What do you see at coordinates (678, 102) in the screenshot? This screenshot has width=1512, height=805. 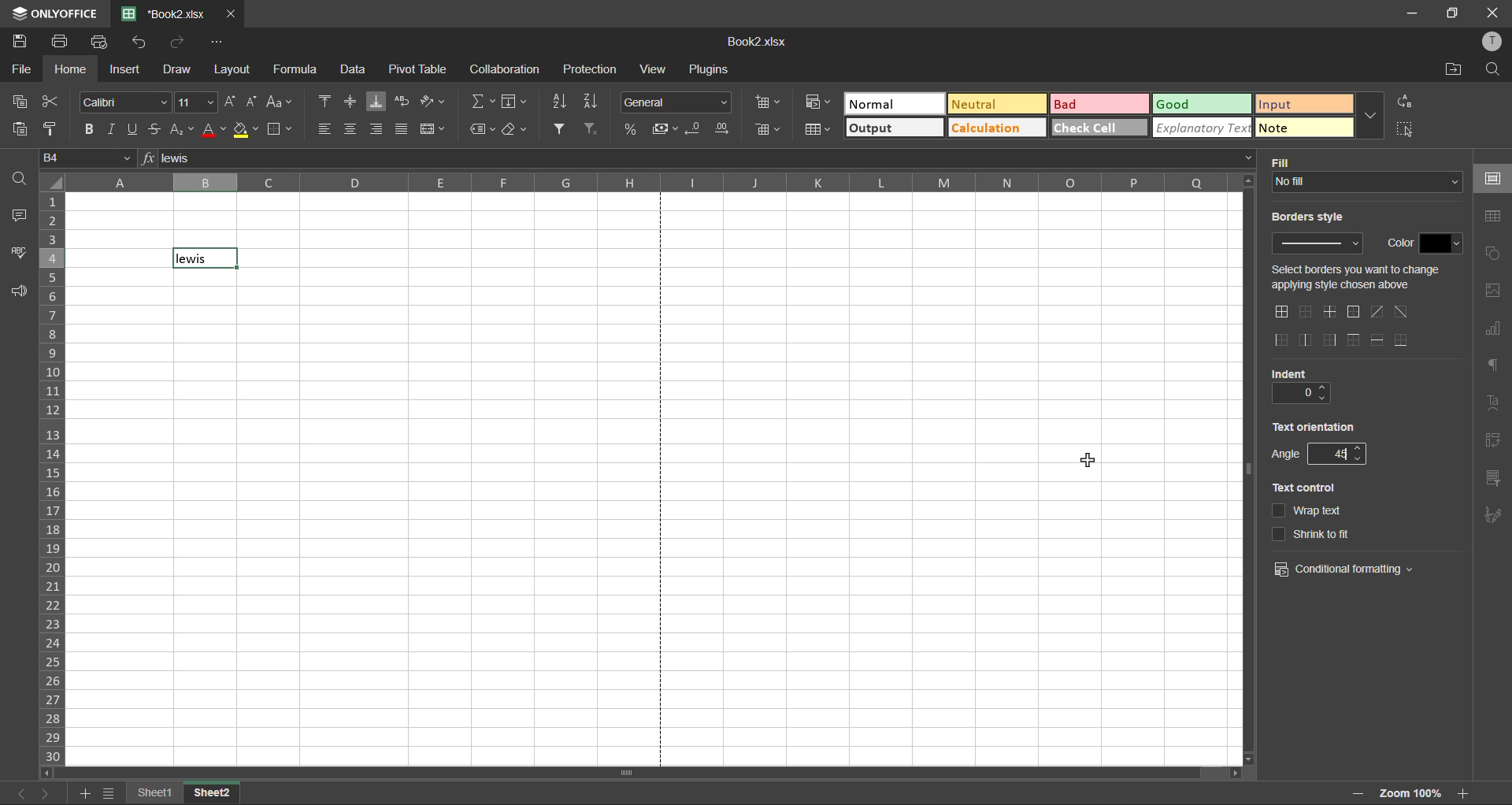 I see `number format` at bounding box center [678, 102].